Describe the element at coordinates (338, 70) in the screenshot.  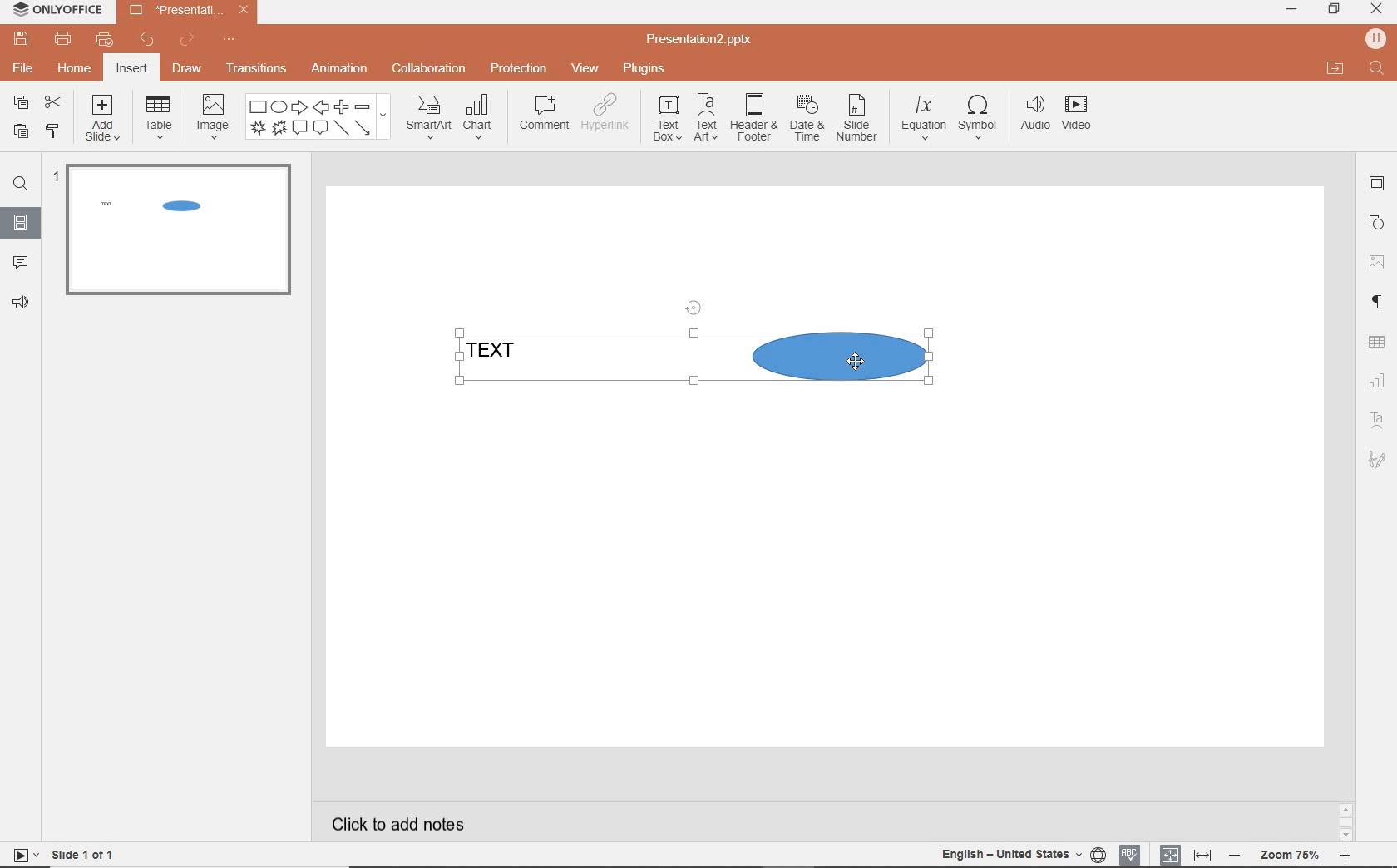
I see `animation` at that location.